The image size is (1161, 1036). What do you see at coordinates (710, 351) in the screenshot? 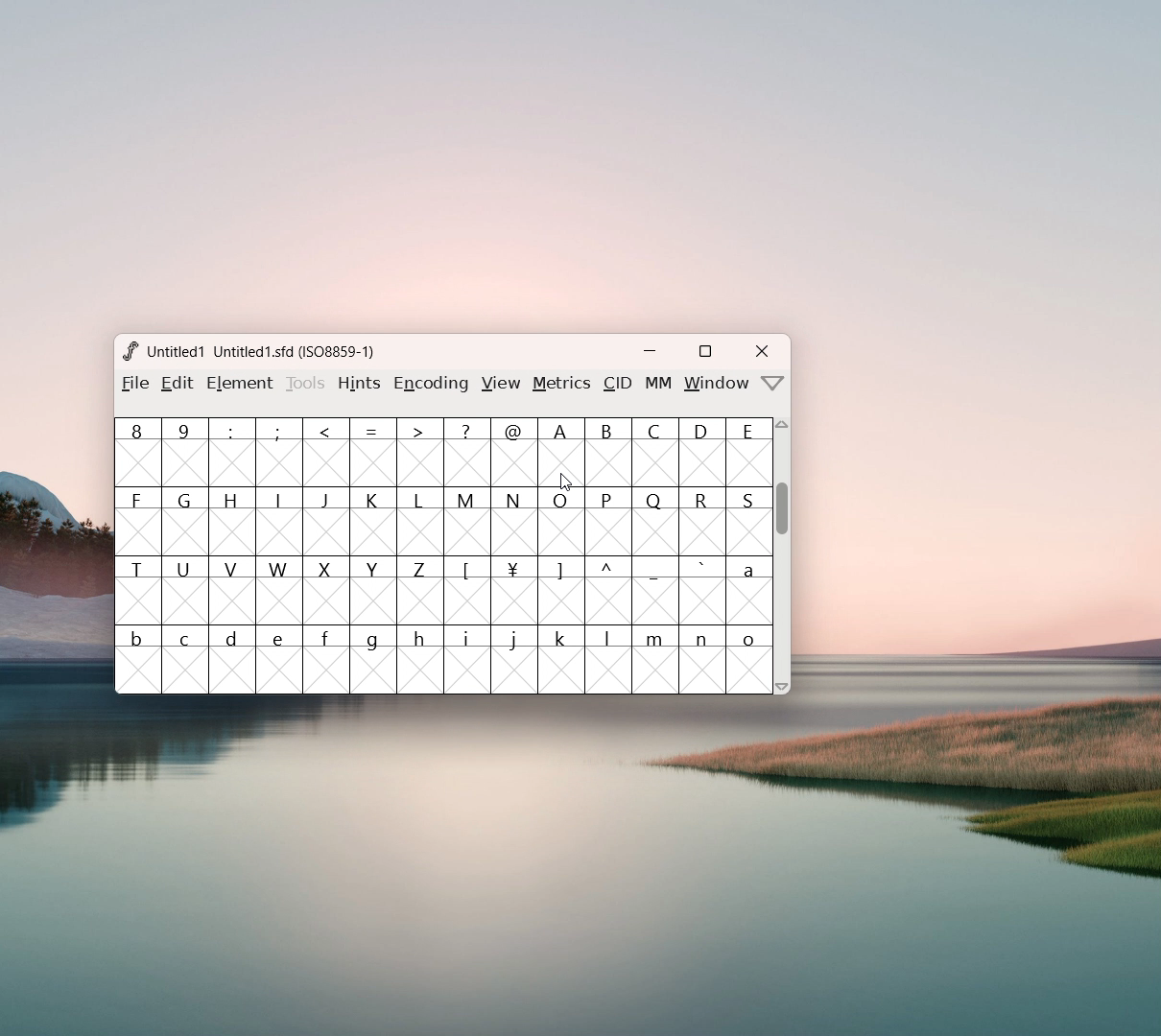
I see `maximize` at bounding box center [710, 351].